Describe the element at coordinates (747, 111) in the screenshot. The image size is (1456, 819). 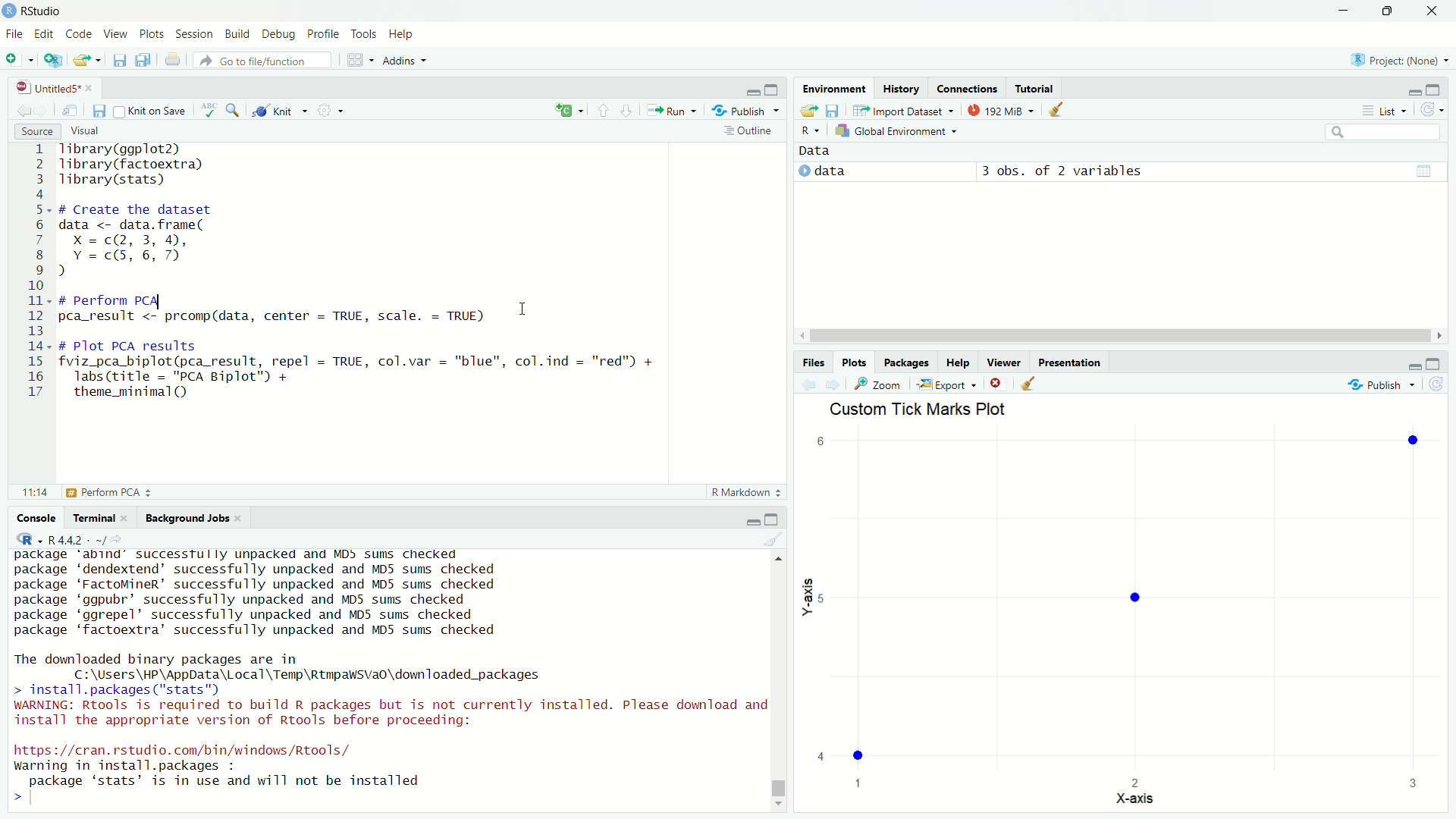
I see `publish` at that location.